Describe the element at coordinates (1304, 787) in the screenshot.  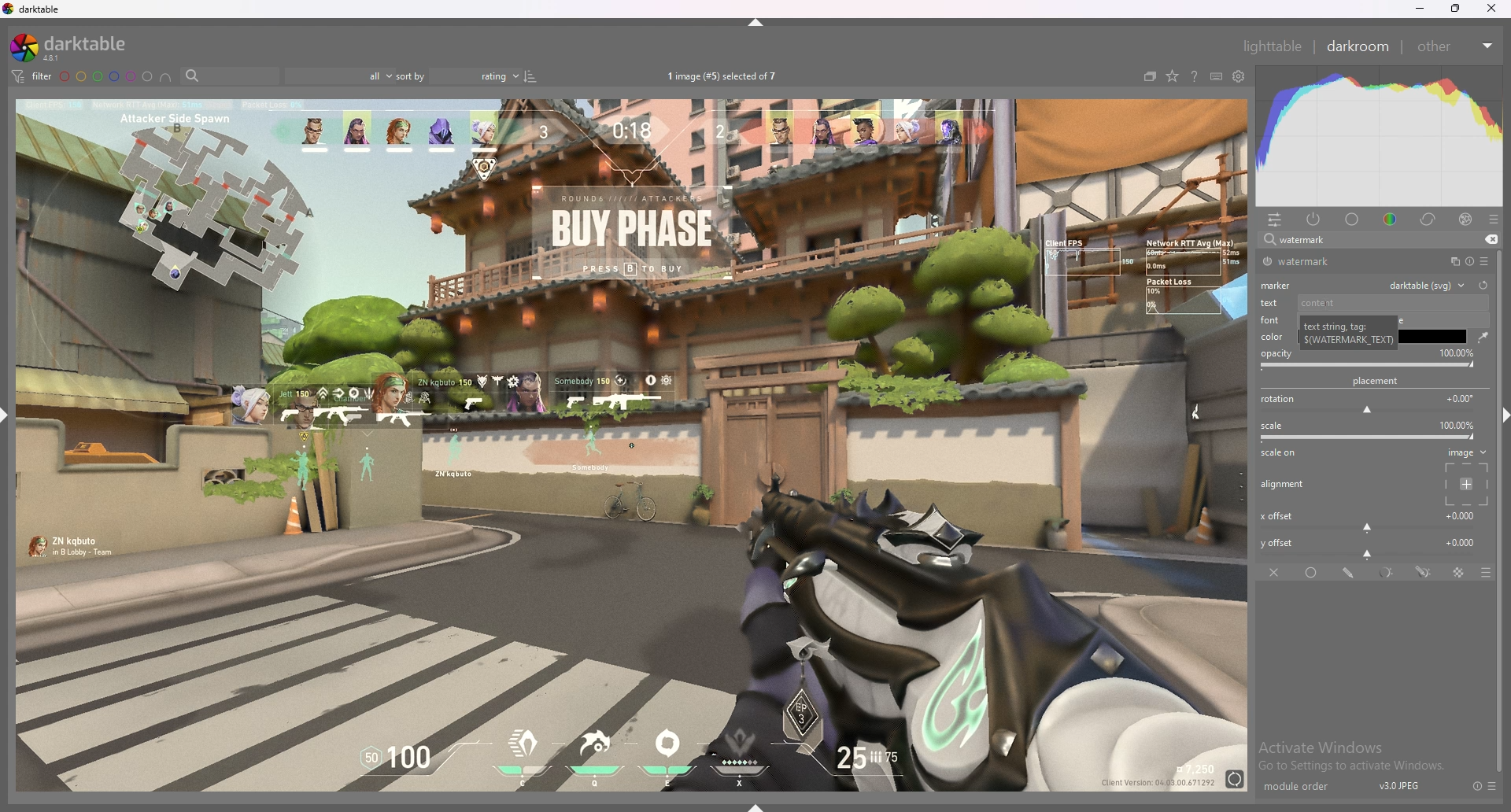
I see `module order` at that location.